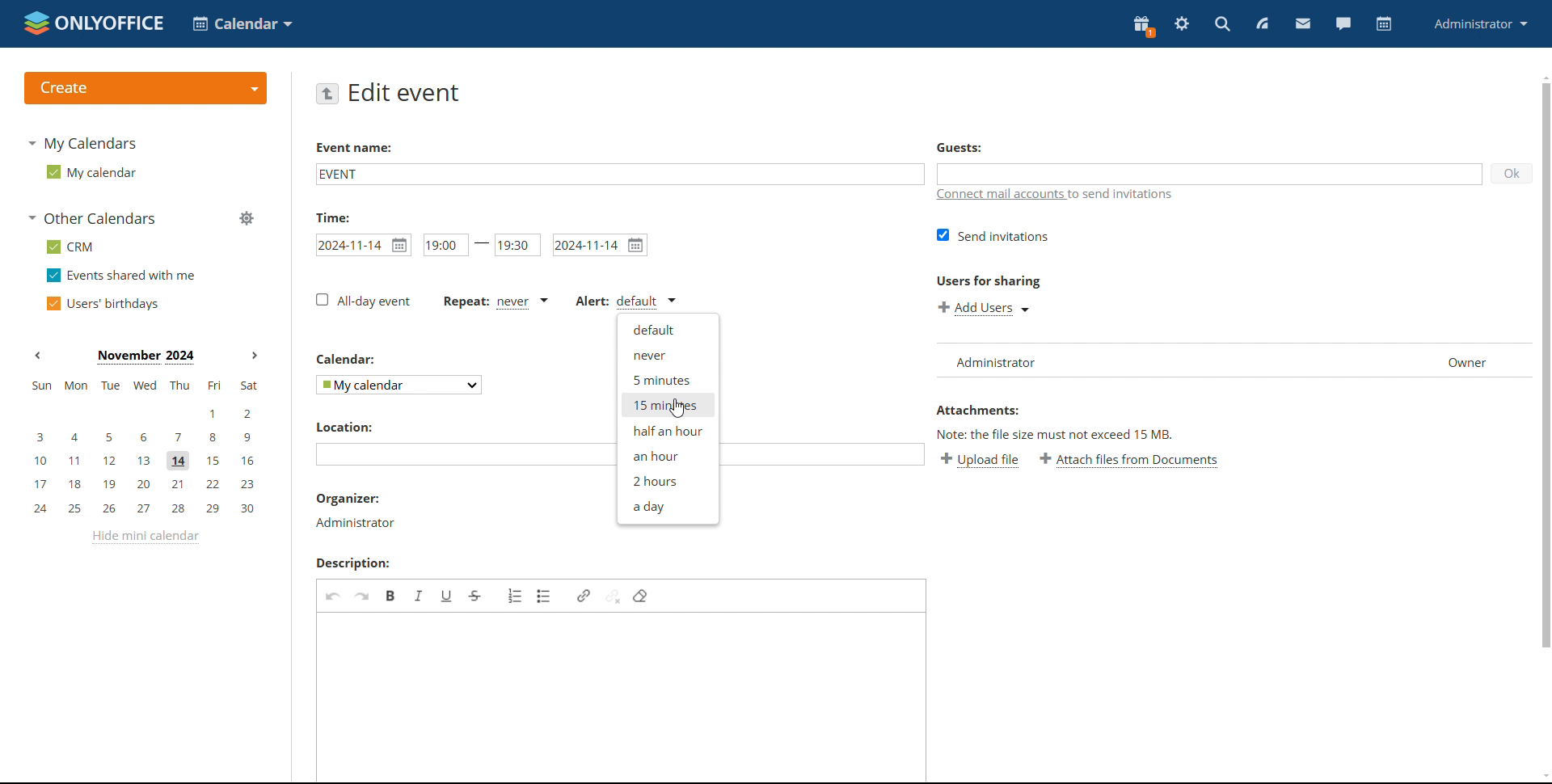 Image resolution: width=1552 pixels, height=784 pixels. Describe the element at coordinates (70, 247) in the screenshot. I see `crm` at that location.